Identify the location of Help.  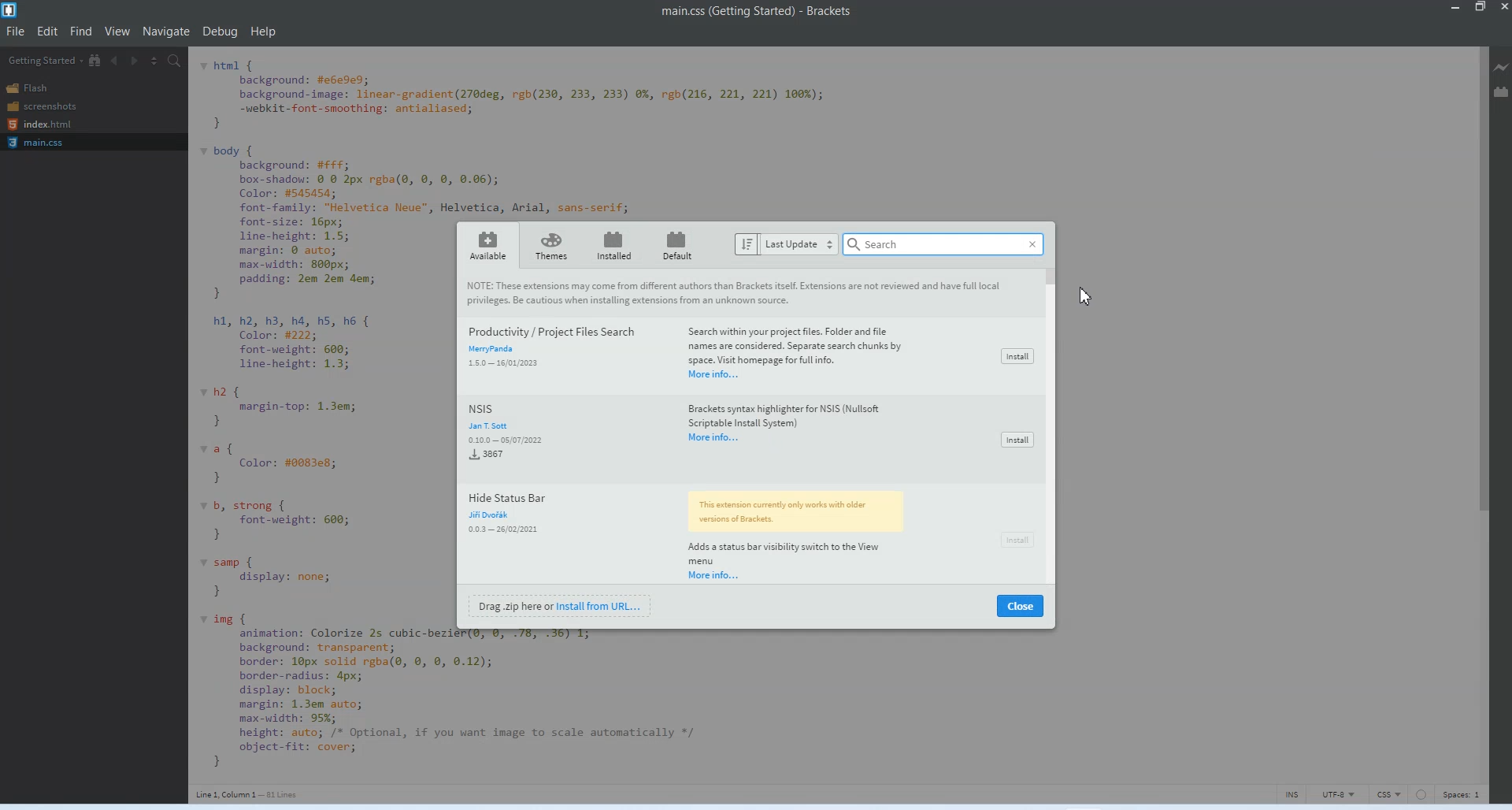
(265, 32).